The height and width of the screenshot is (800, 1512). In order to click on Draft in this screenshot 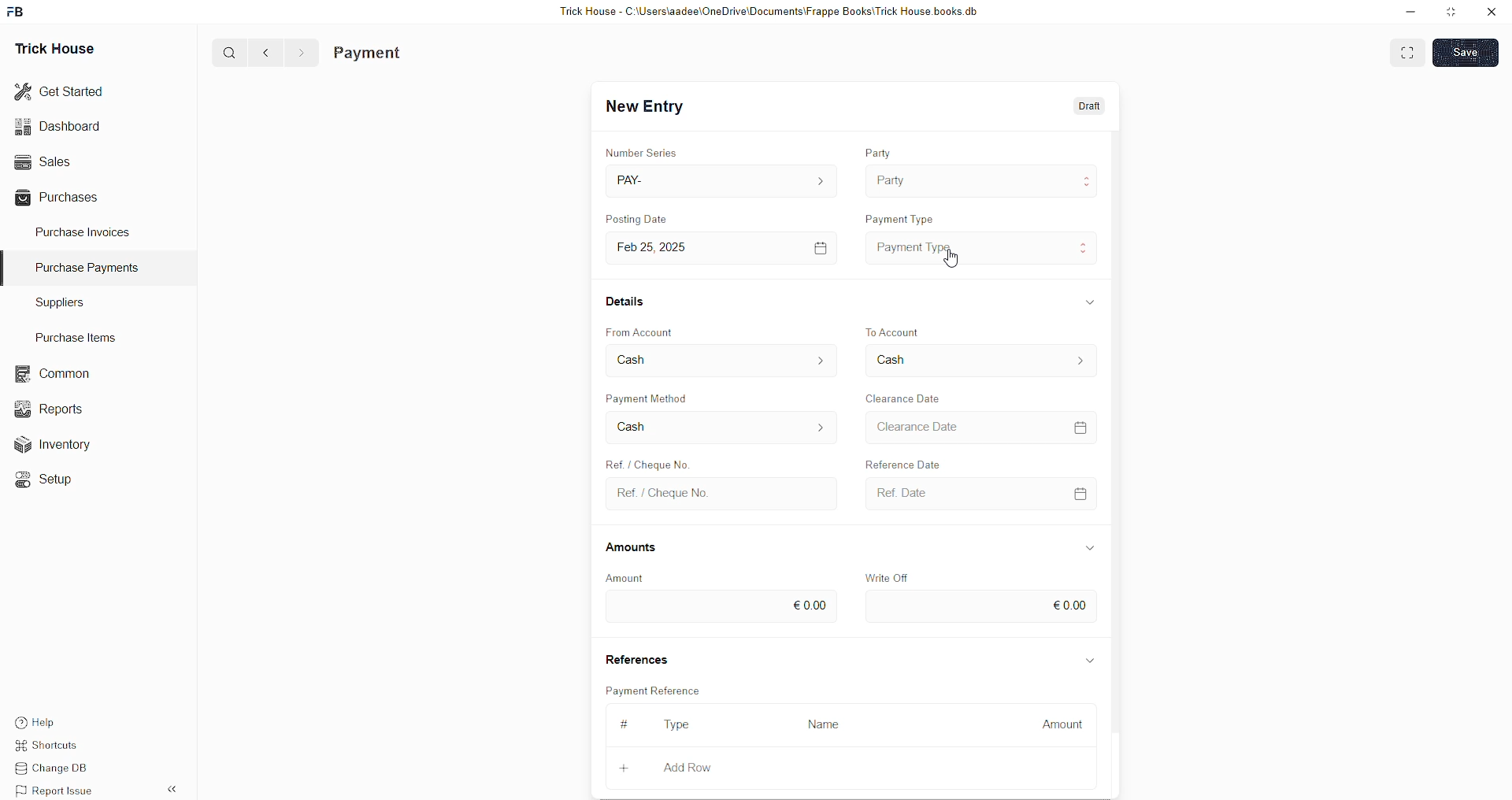, I will do `click(1091, 107)`.